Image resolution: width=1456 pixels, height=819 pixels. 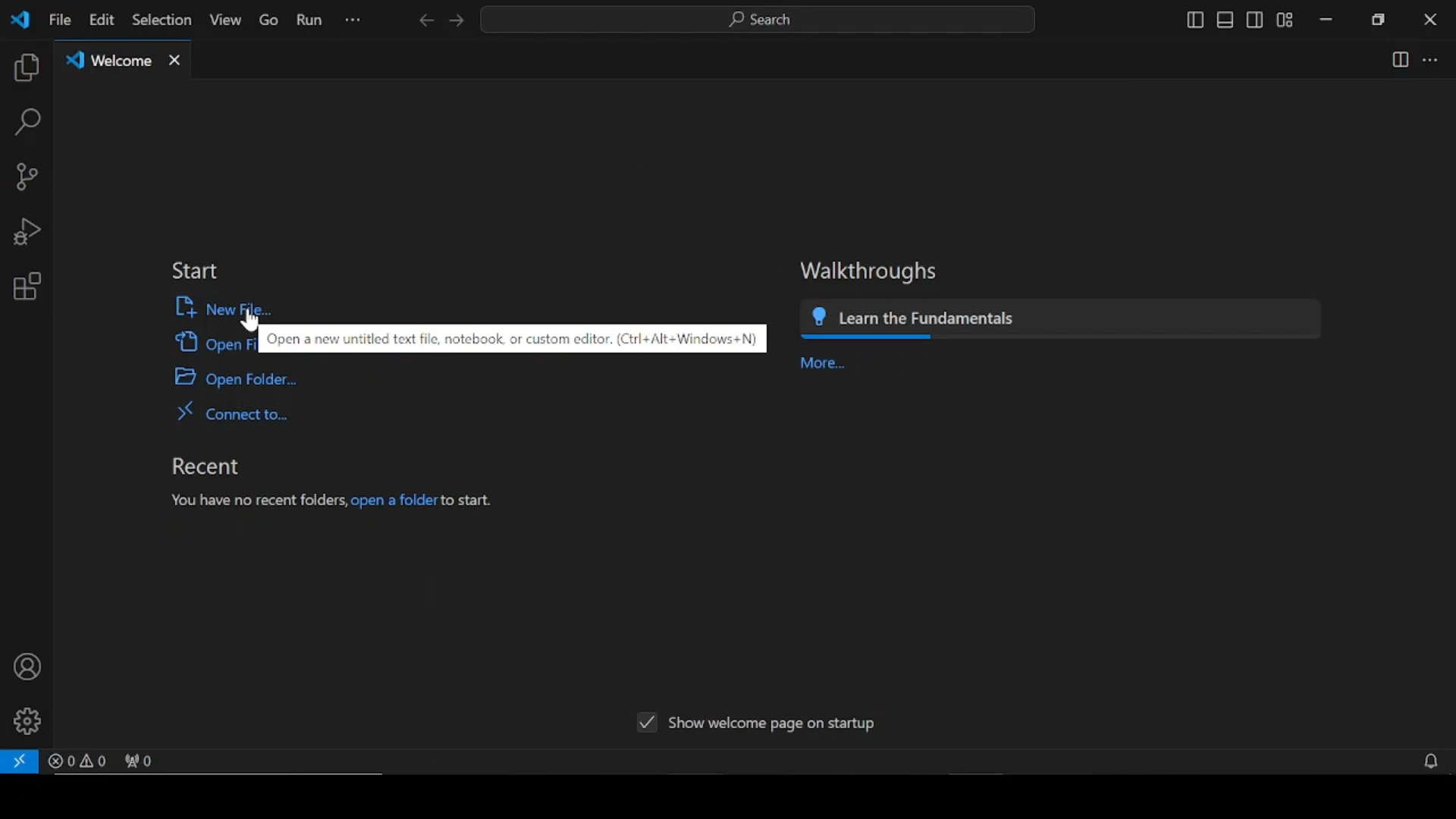 I want to click on more, so click(x=823, y=364).